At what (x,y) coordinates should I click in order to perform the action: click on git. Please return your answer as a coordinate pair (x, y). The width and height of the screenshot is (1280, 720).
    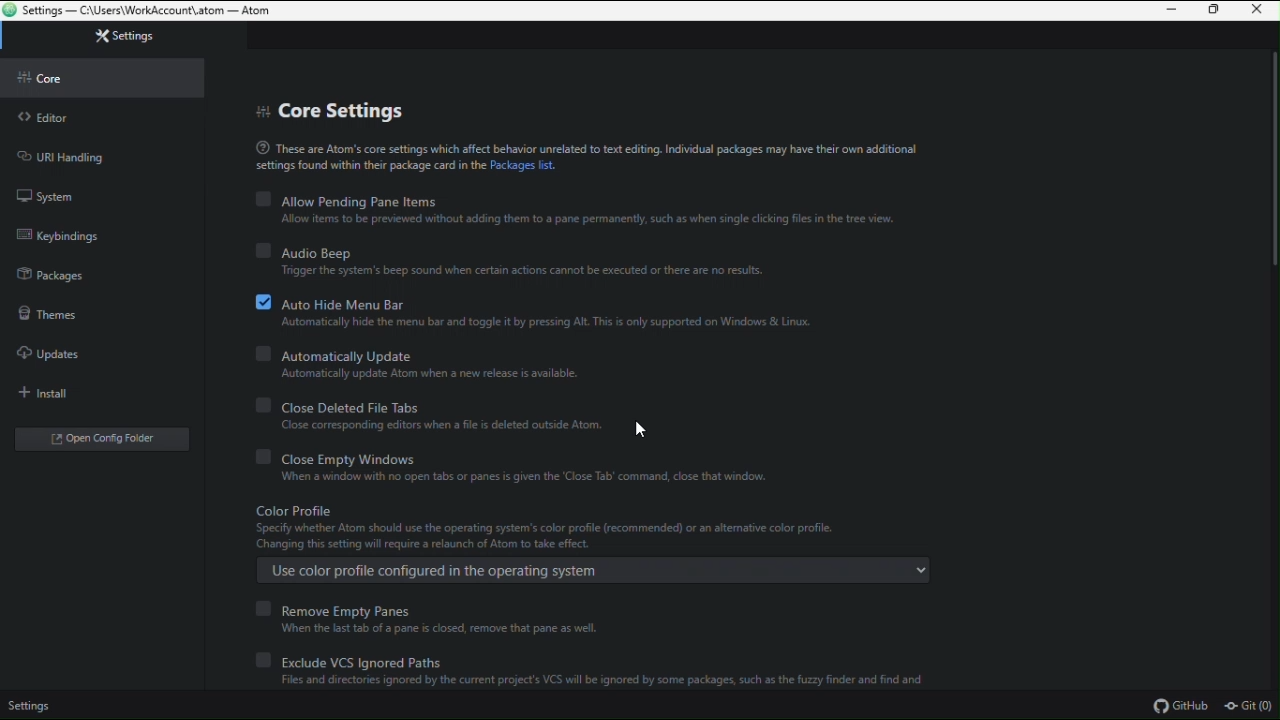
    Looking at the image, I should click on (1250, 707).